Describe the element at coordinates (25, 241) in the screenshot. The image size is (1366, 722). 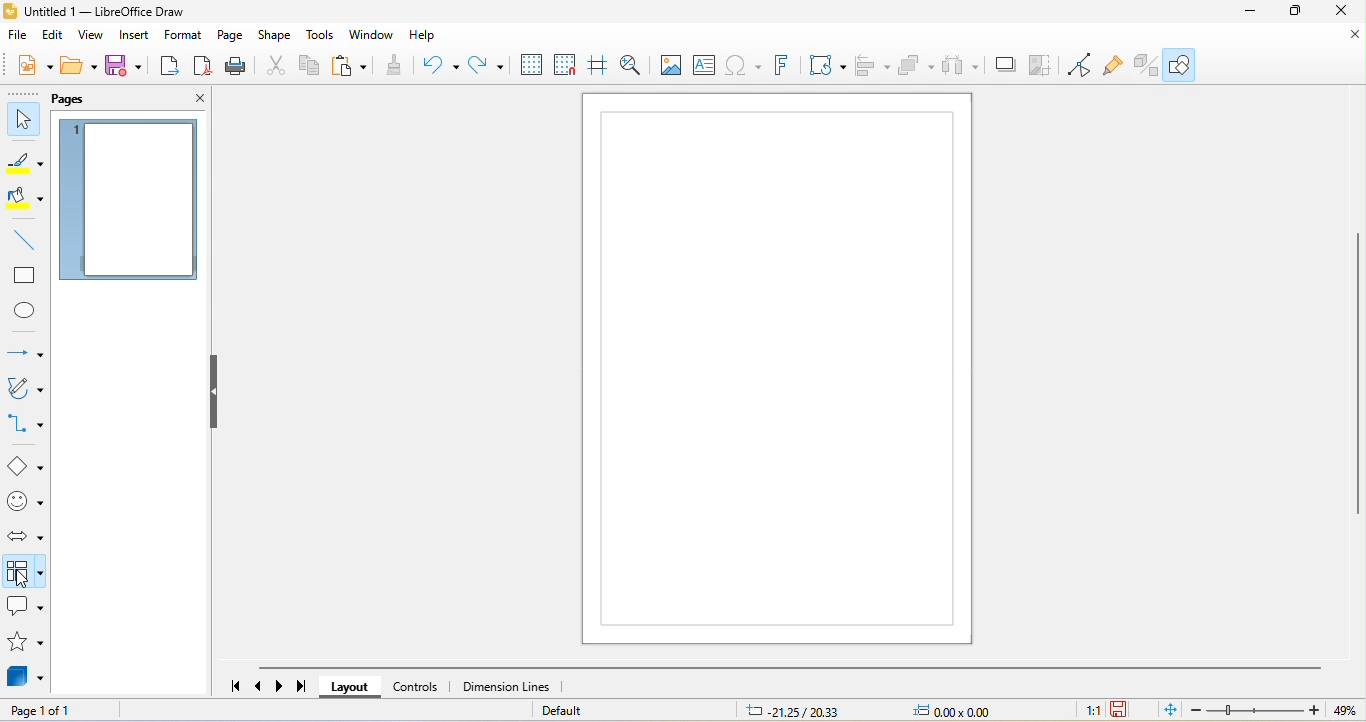
I see `line` at that location.